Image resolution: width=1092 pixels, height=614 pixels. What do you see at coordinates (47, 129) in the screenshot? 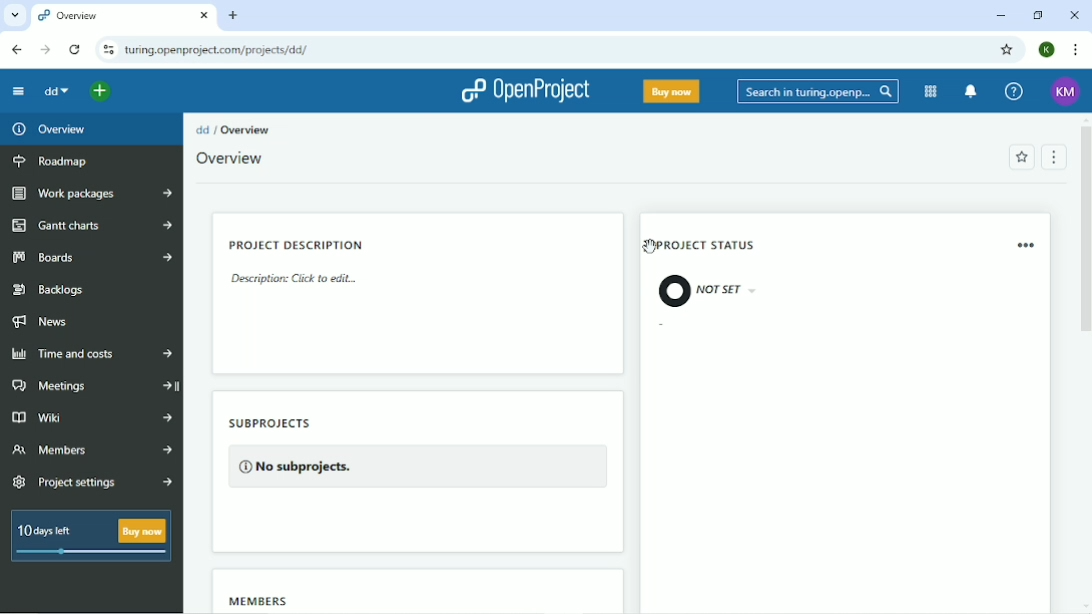
I see `Overview` at bounding box center [47, 129].